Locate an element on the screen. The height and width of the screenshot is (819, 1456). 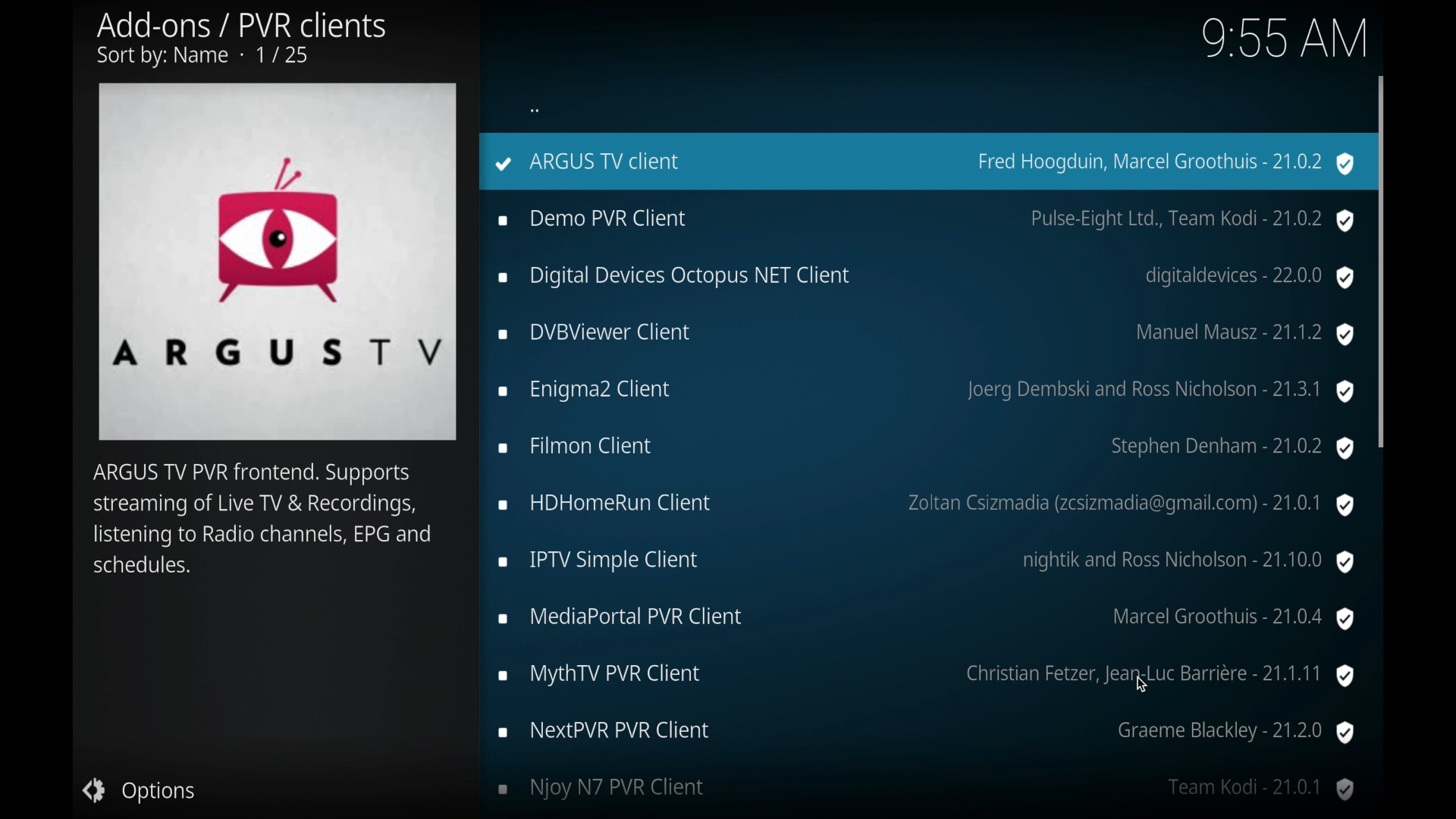
iptv  is located at coordinates (928, 562).